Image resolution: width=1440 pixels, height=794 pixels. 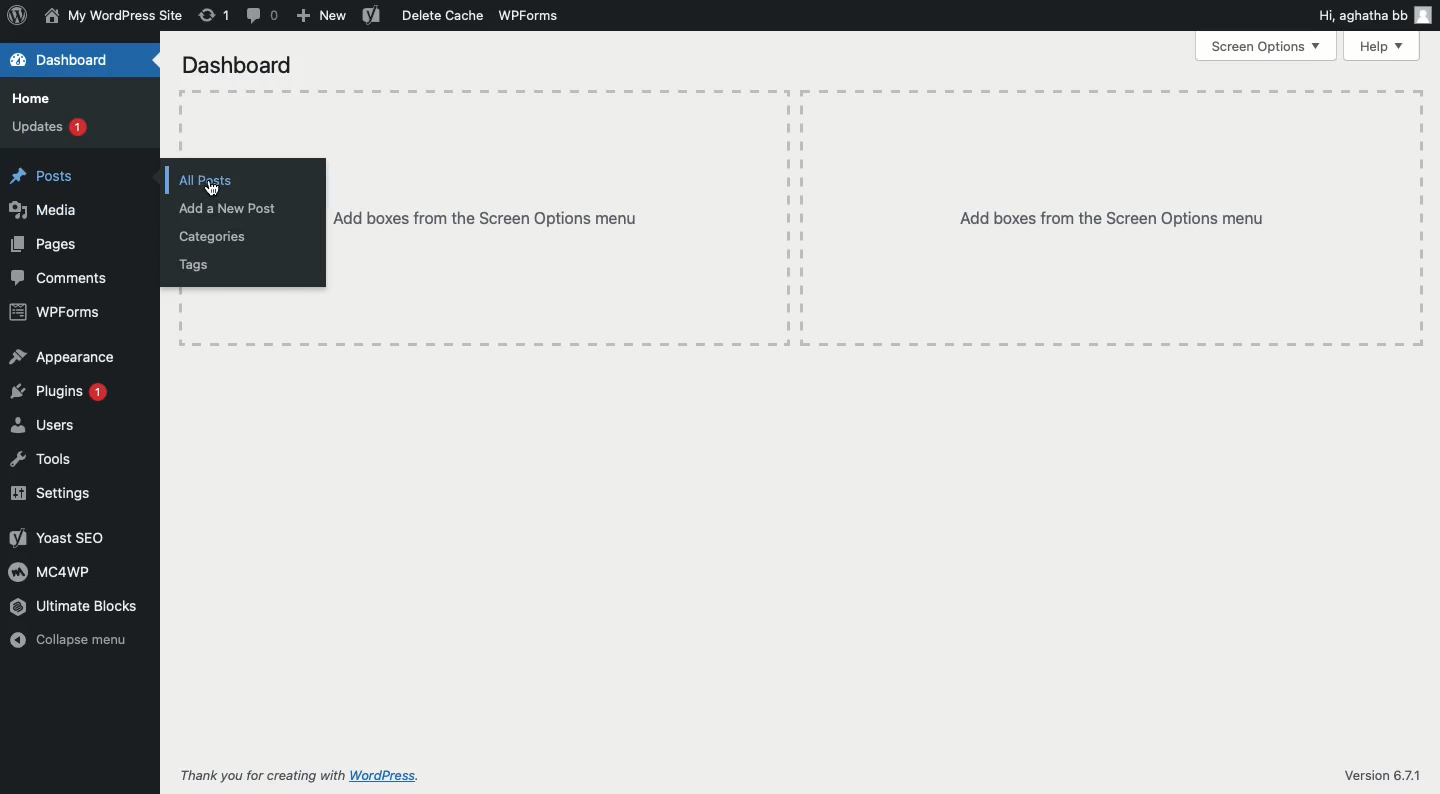 What do you see at coordinates (58, 496) in the screenshot?
I see `Settings` at bounding box center [58, 496].